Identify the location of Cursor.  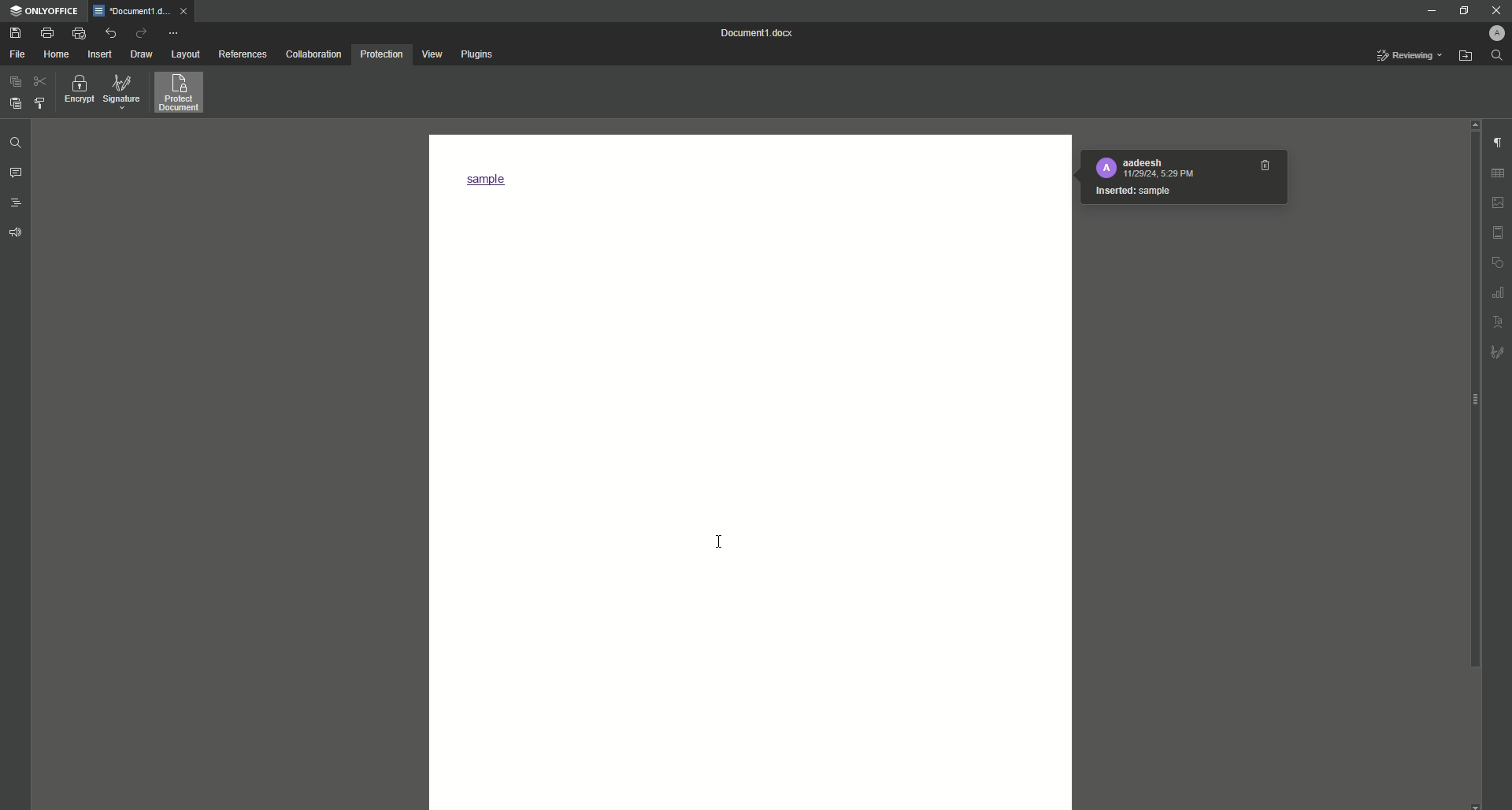
(719, 539).